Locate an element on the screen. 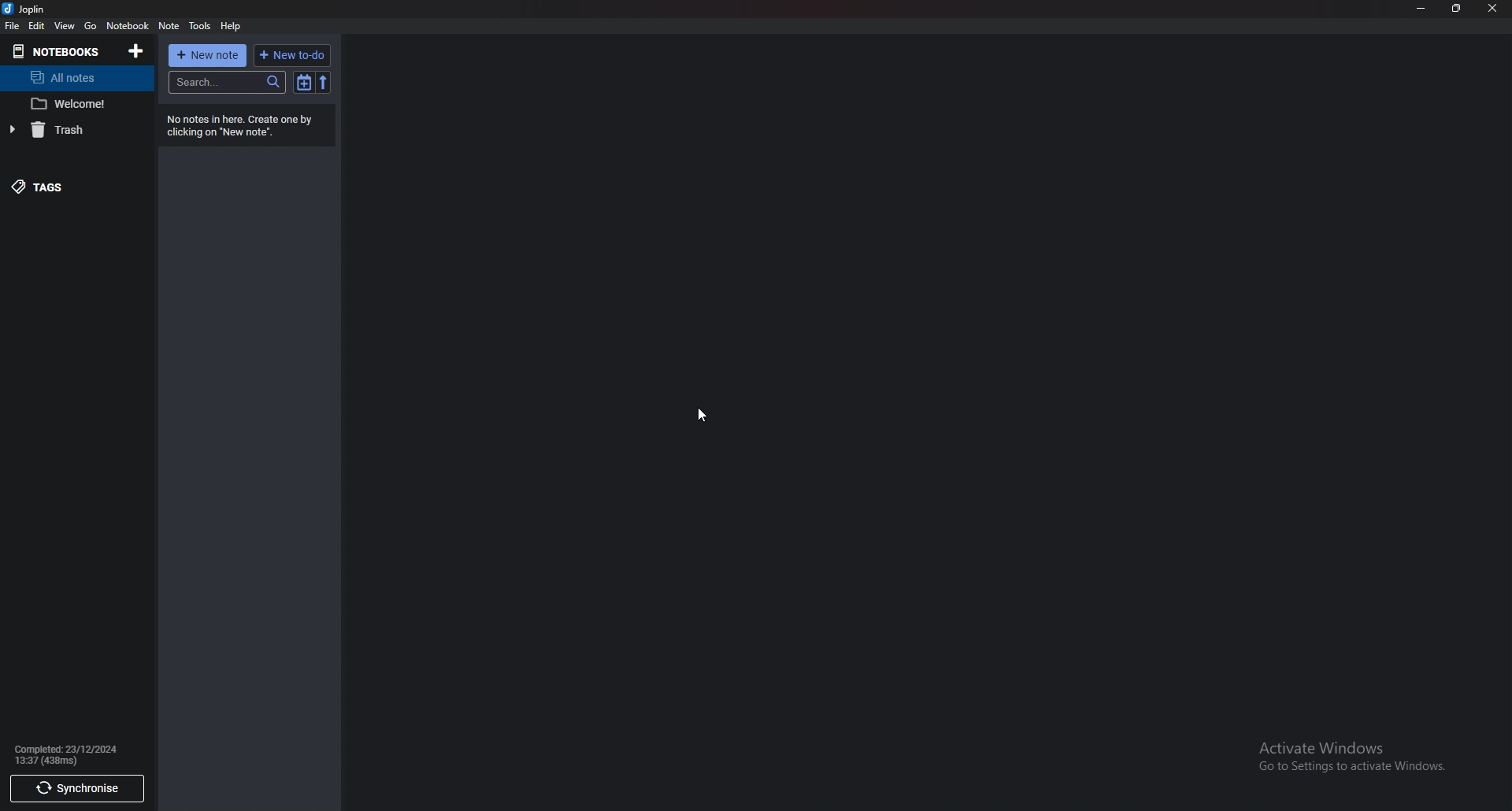  Cursor is located at coordinates (701, 416).